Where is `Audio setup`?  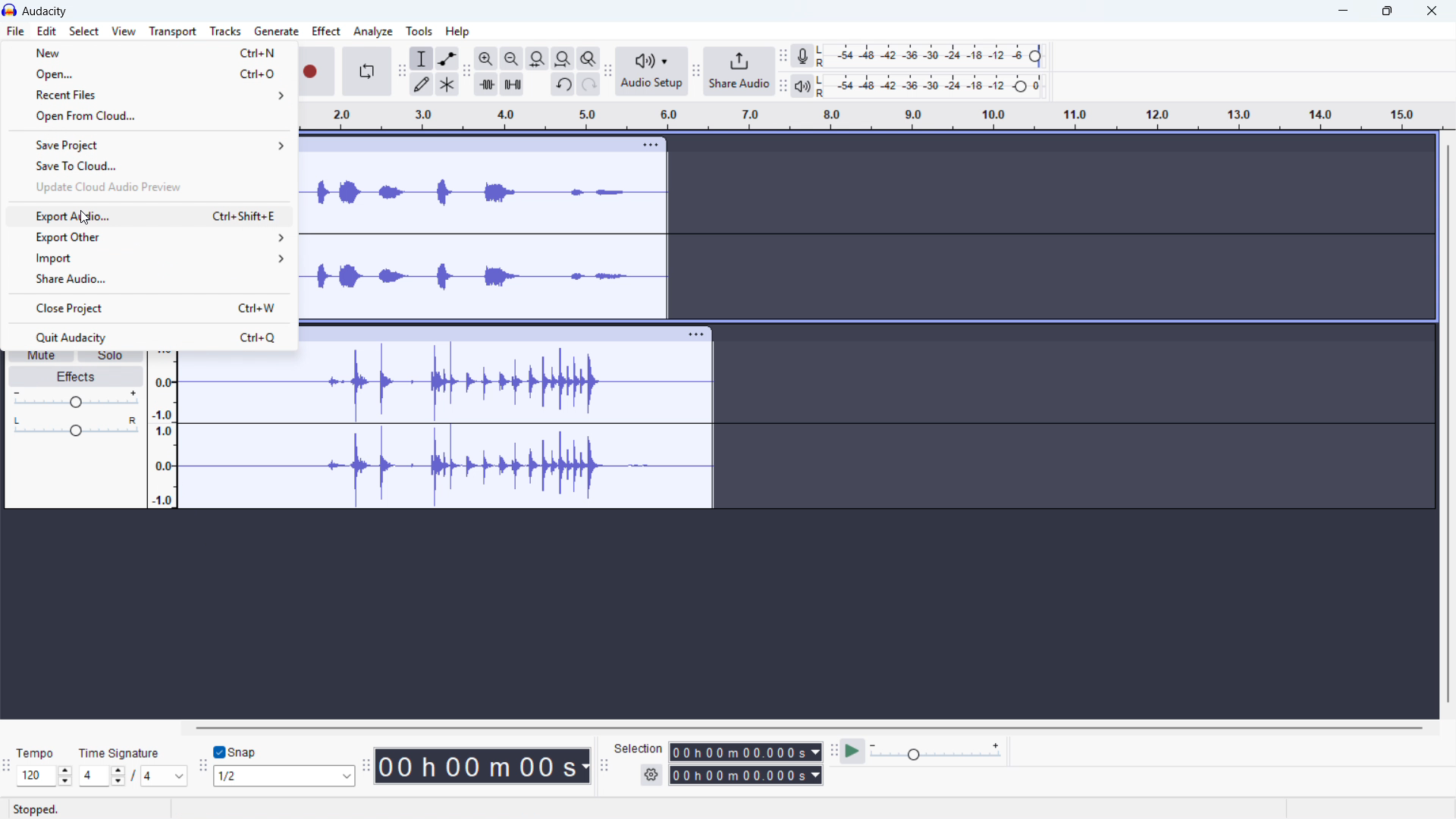
Audio setup is located at coordinates (652, 71).